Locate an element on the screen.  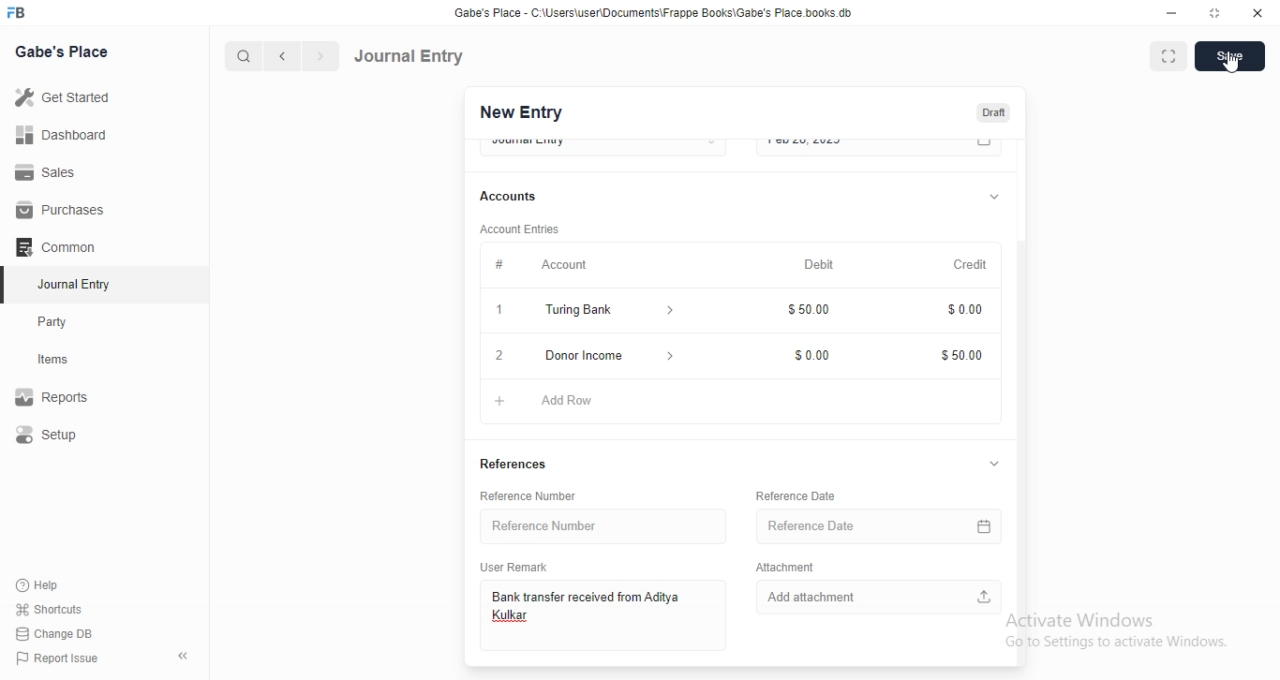
New Entry is located at coordinates (519, 113).